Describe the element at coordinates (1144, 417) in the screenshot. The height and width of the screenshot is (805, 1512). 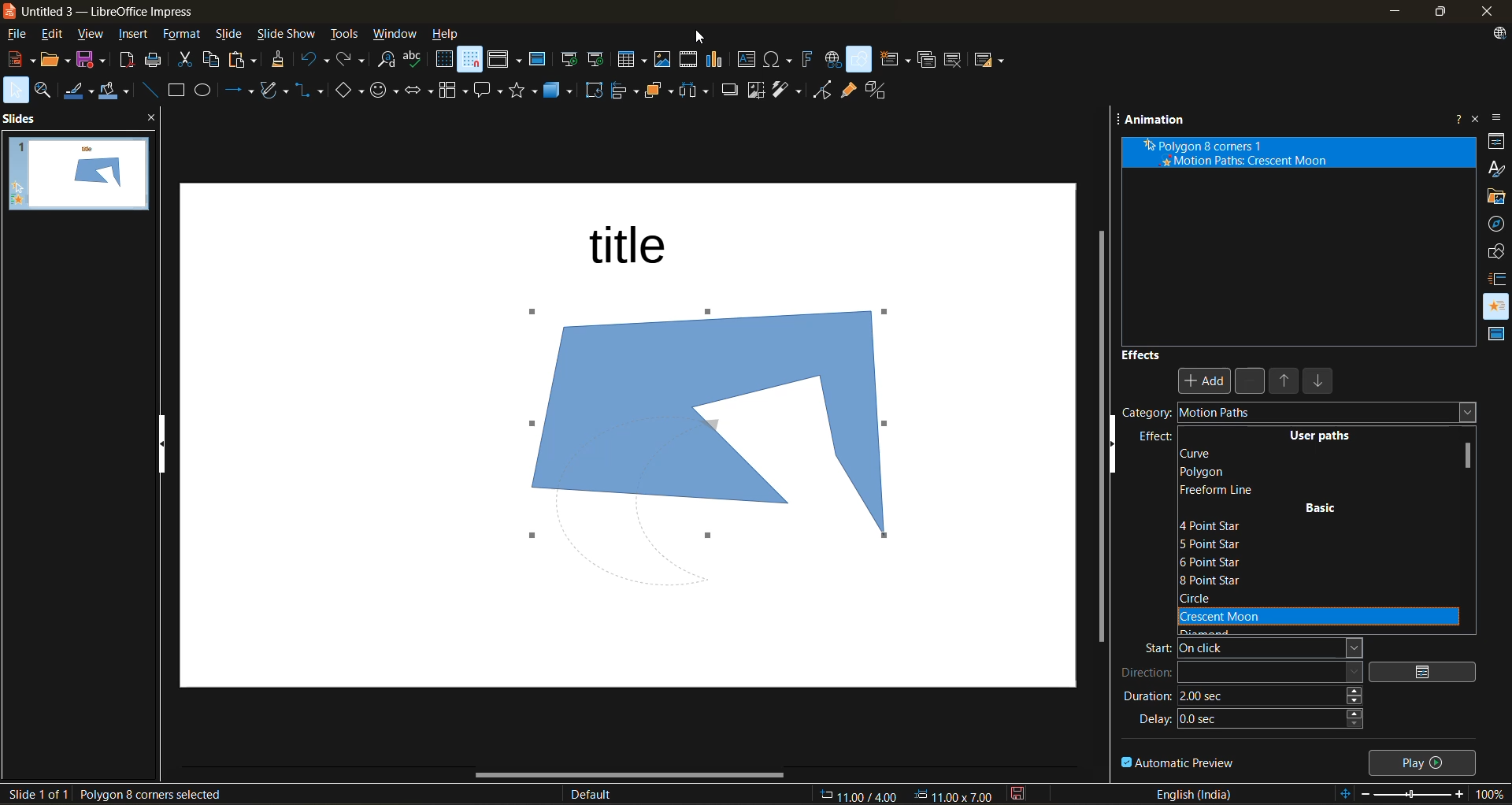
I see `category` at that location.